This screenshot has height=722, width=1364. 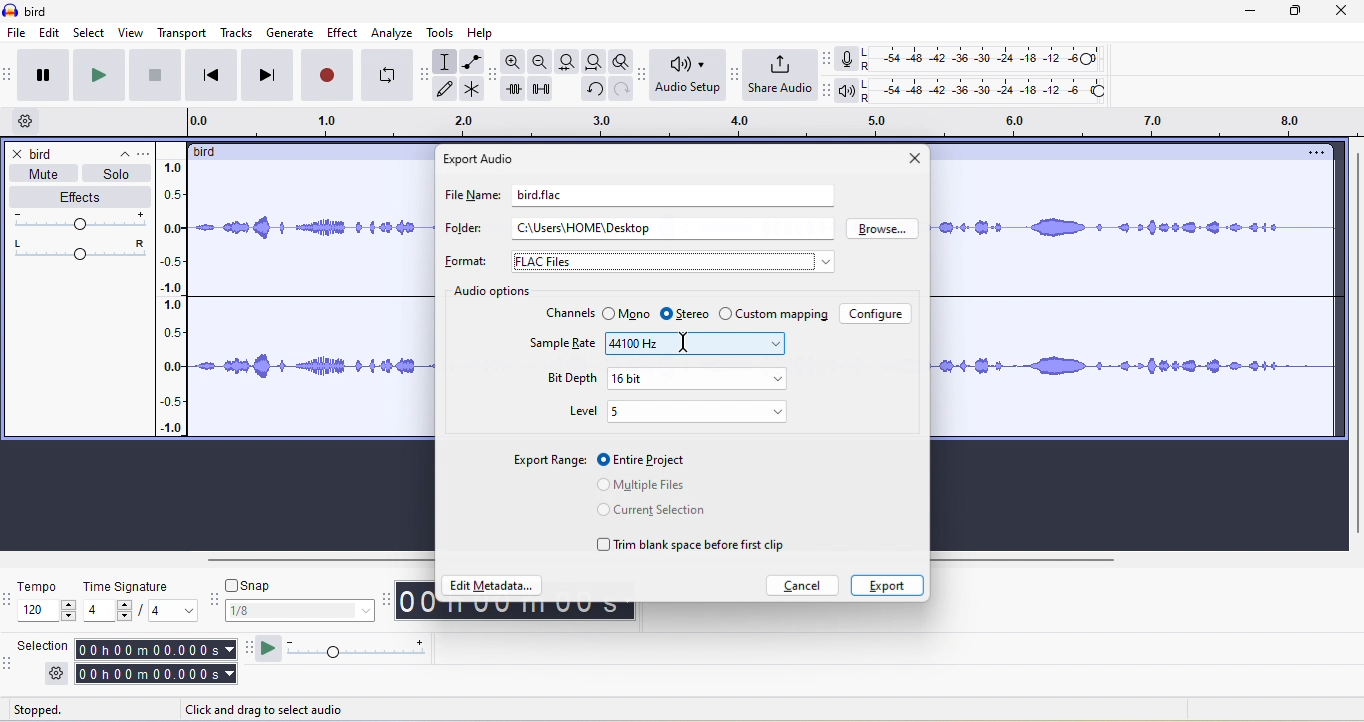 I want to click on timer, so click(x=516, y=612).